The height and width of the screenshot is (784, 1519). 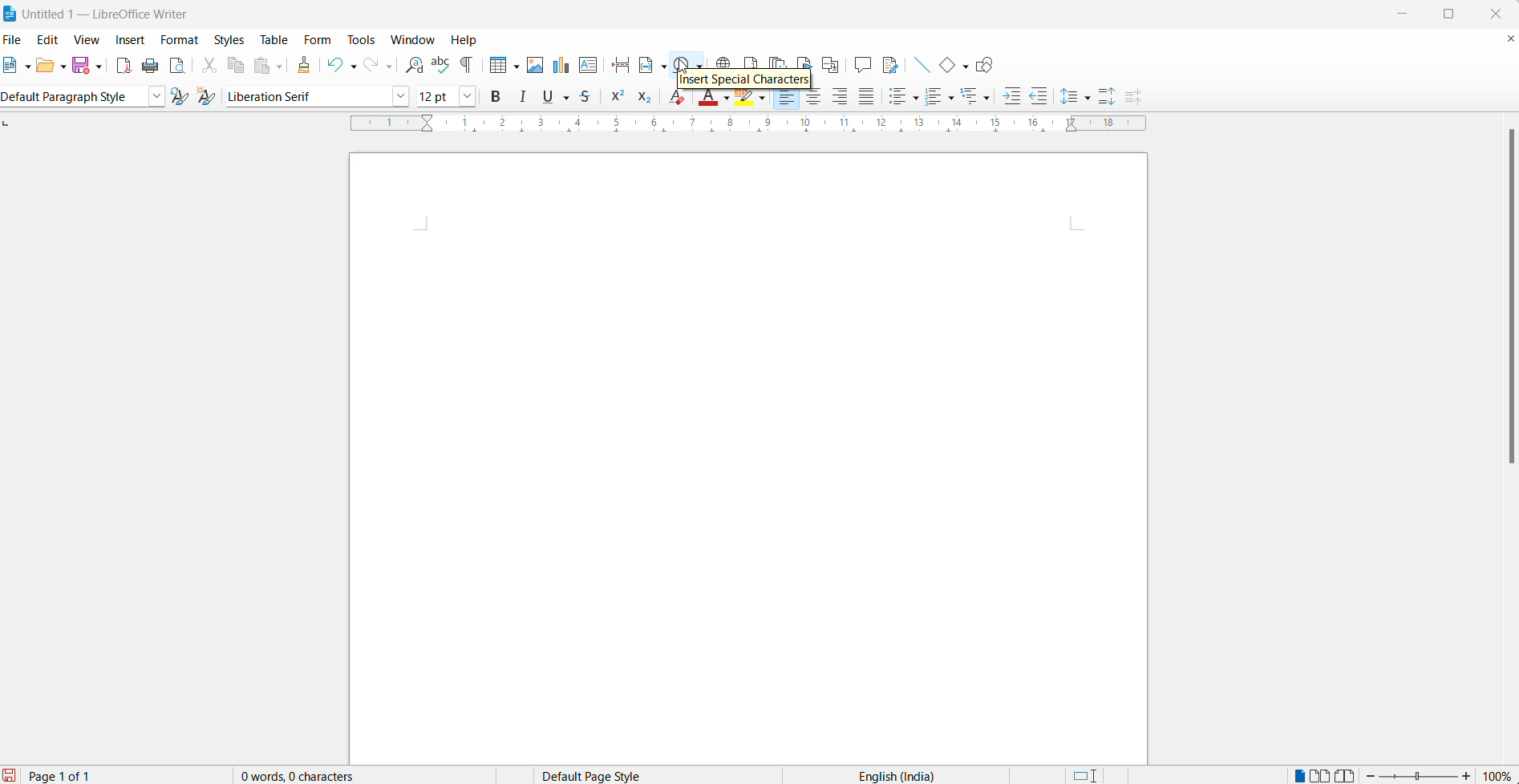 What do you see at coordinates (547, 96) in the screenshot?
I see `underline` at bounding box center [547, 96].